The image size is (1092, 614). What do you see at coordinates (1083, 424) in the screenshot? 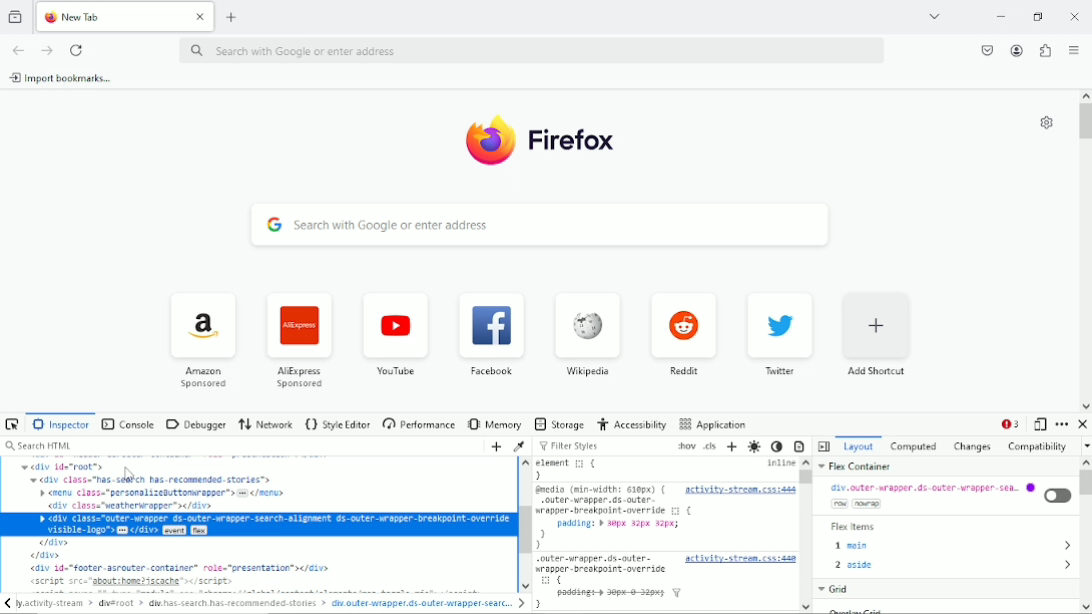
I see `Close` at bounding box center [1083, 424].